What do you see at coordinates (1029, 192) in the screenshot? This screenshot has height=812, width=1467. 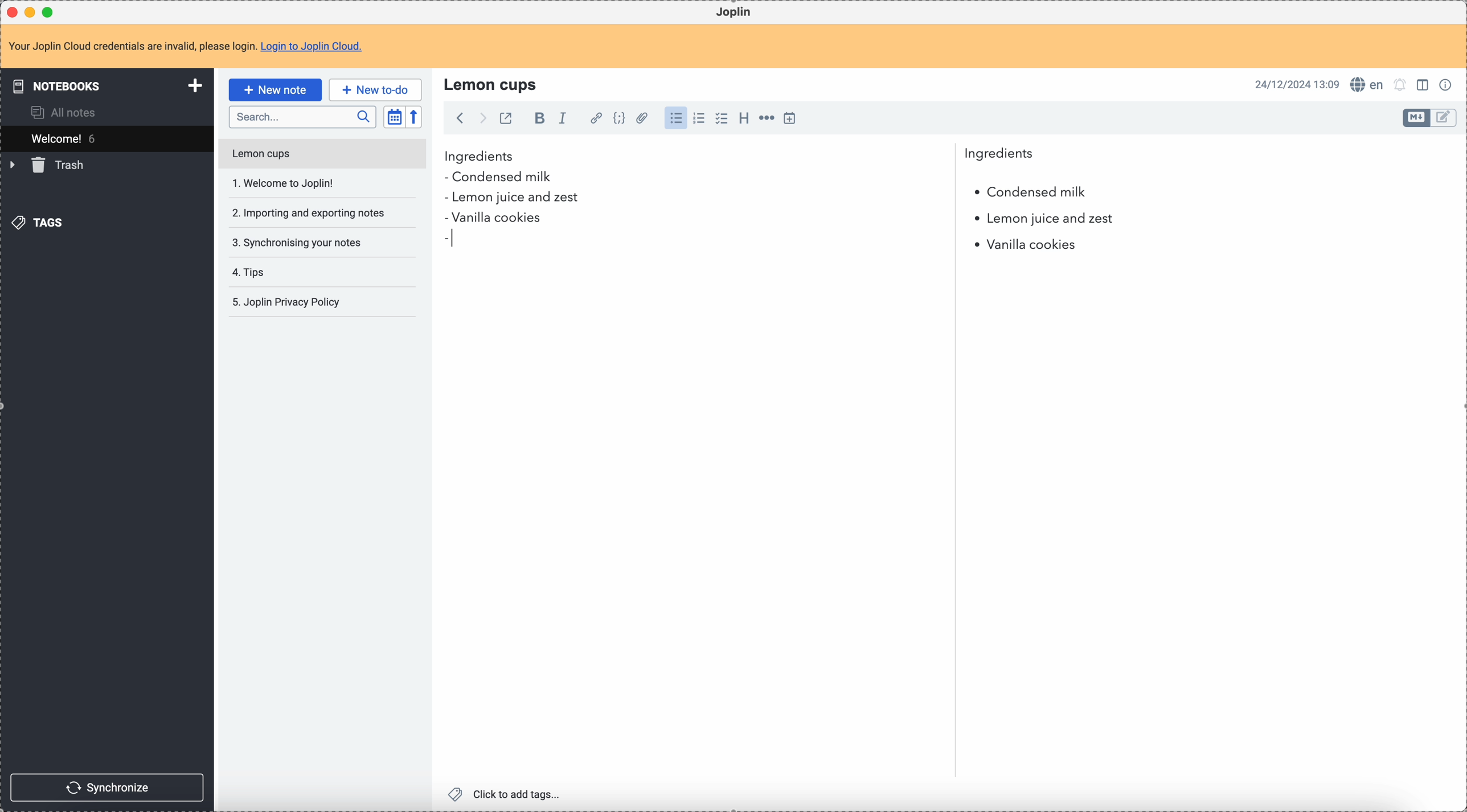 I see `condensed milk` at bounding box center [1029, 192].